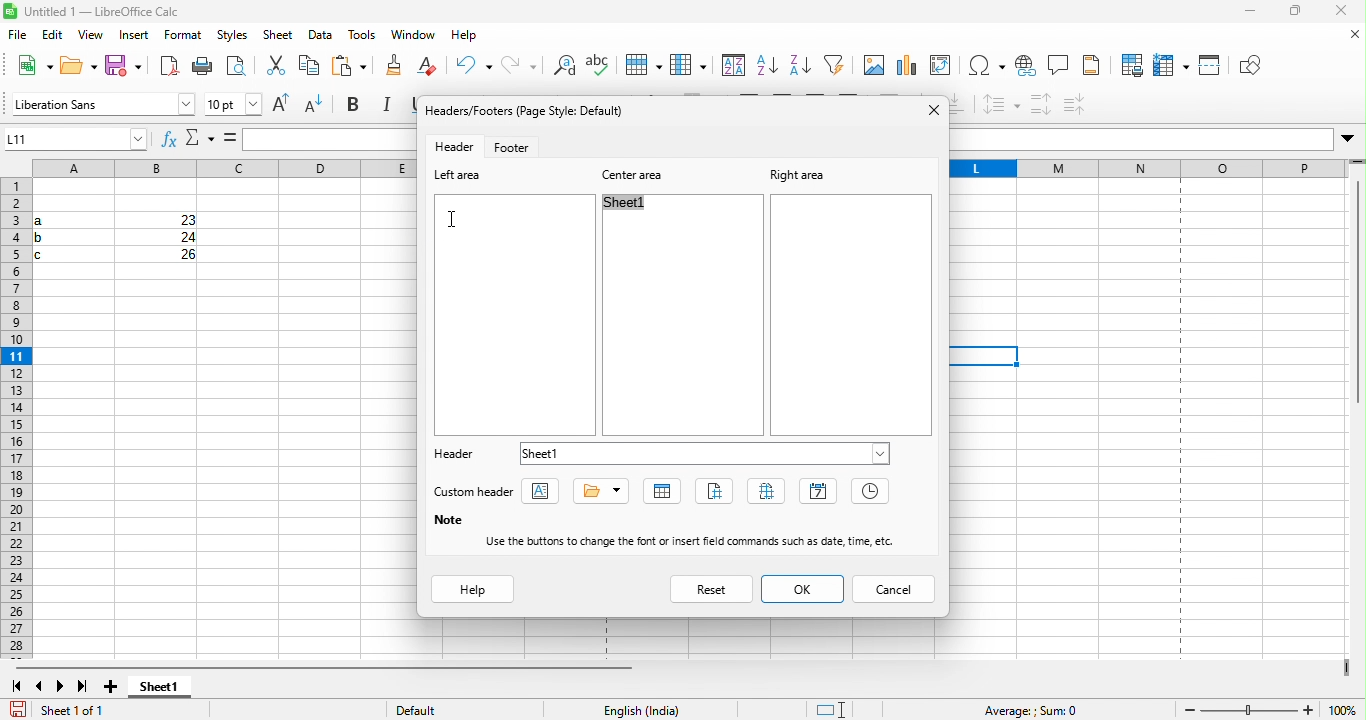 Image resolution: width=1366 pixels, height=720 pixels. Describe the element at coordinates (986, 66) in the screenshot. I see `special character` at that location.